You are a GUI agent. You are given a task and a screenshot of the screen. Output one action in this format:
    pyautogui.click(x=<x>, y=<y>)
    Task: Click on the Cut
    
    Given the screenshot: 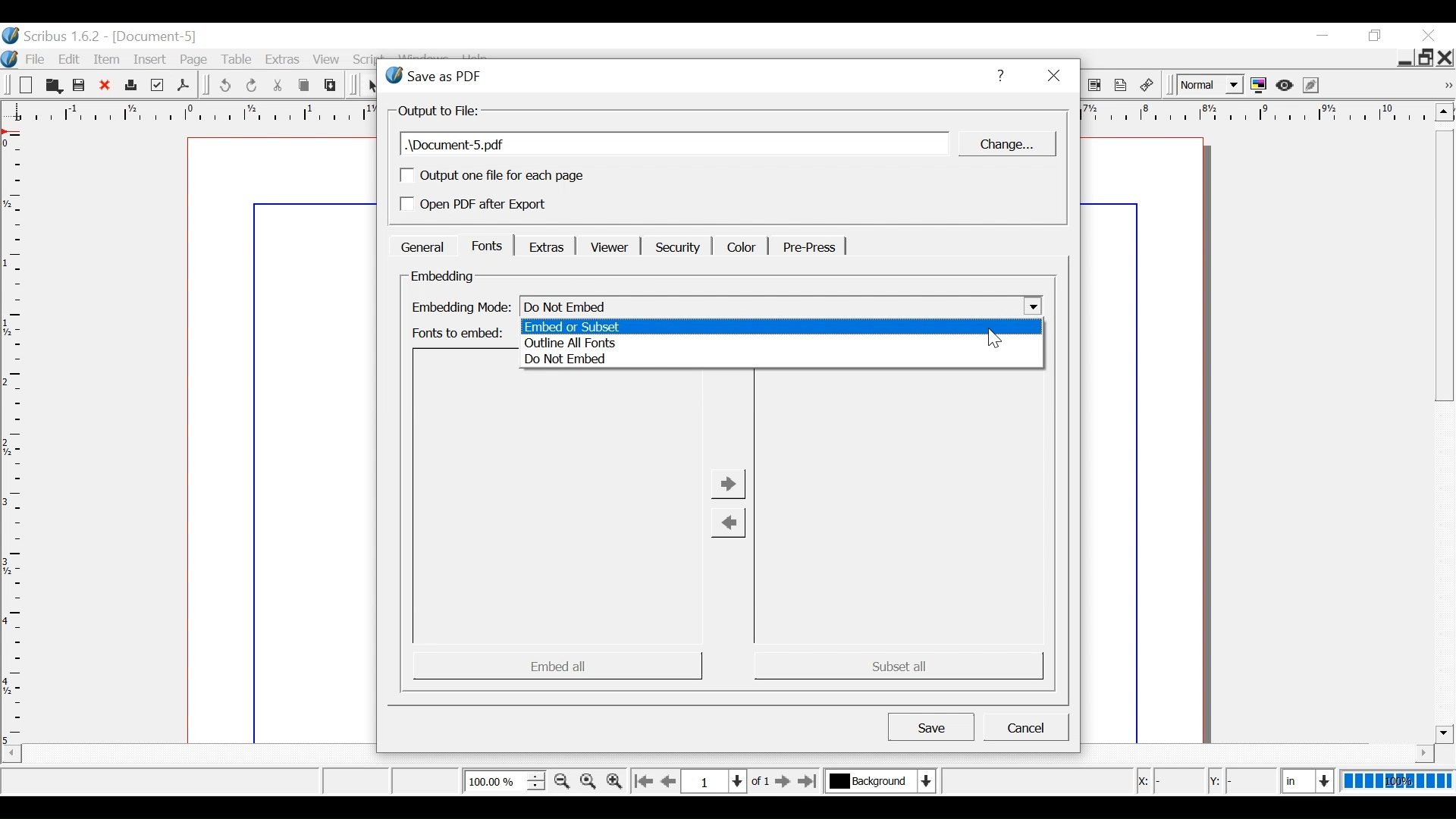 What is the action you would take?
    pyautogui.click(x=278, y=86)
    